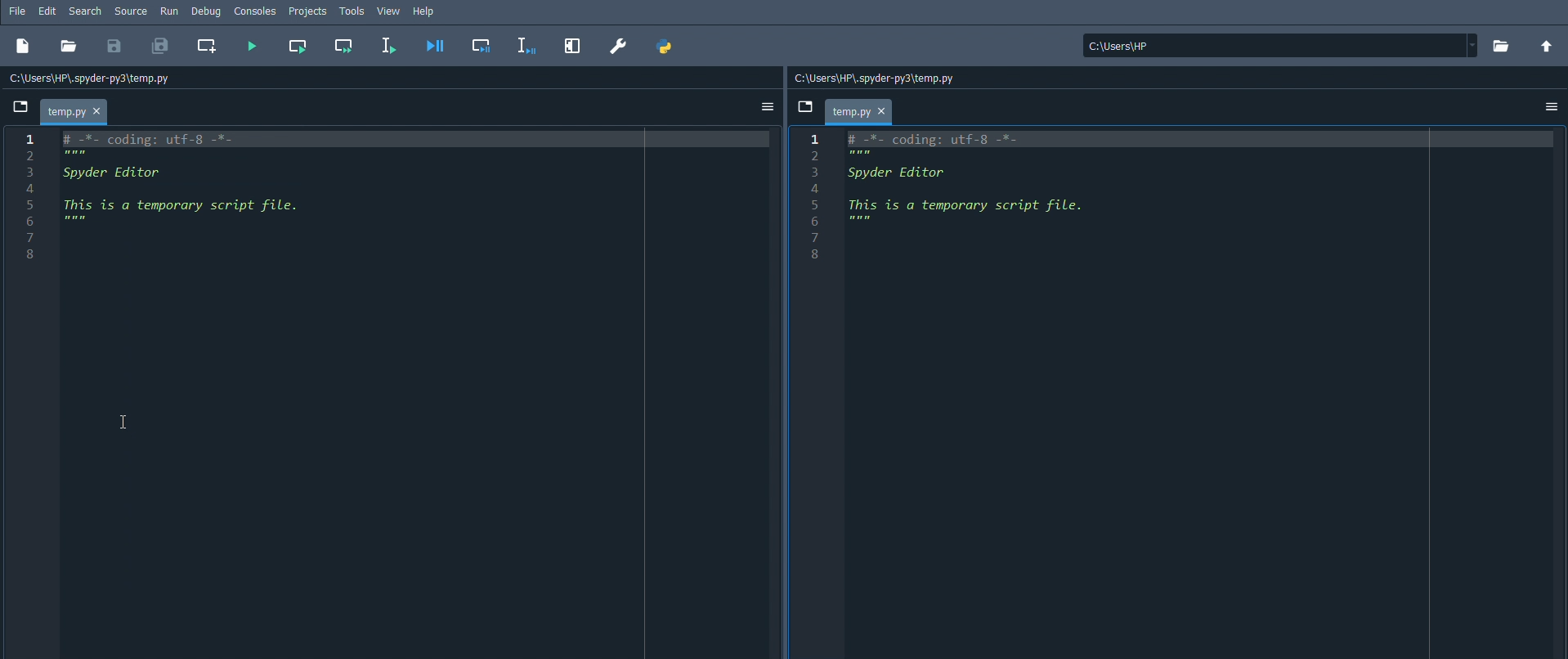 This screenshot has width=1568, height=659. Describe the element at coordinates (50, 11) in the screenshot. I see `Edit` at that location.